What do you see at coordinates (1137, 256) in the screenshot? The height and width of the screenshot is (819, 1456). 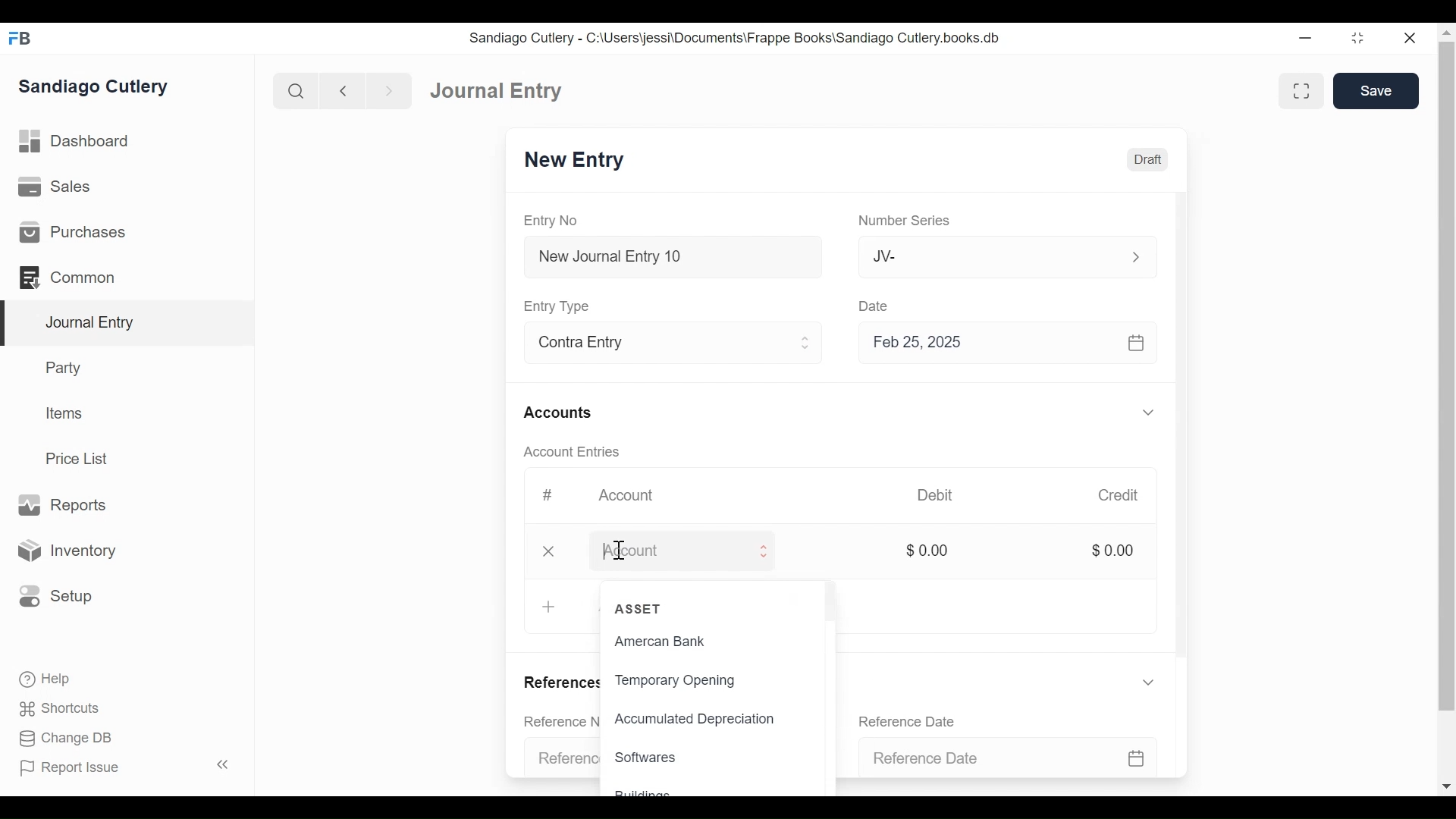 I see `Expand` at bounding box center [1137, 256].